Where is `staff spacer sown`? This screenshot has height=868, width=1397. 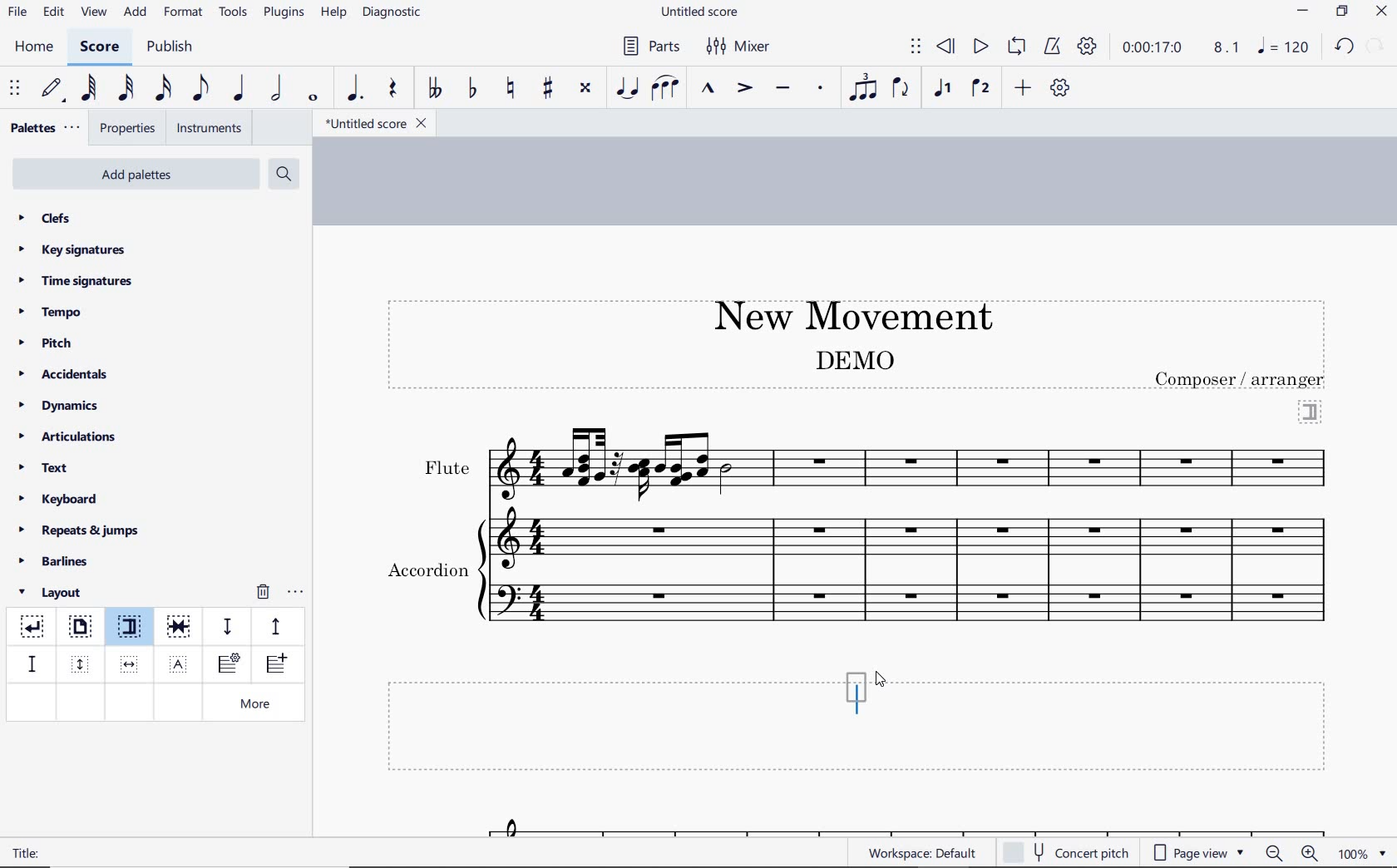 staff spacer sown is located at coordinates (227, 627).